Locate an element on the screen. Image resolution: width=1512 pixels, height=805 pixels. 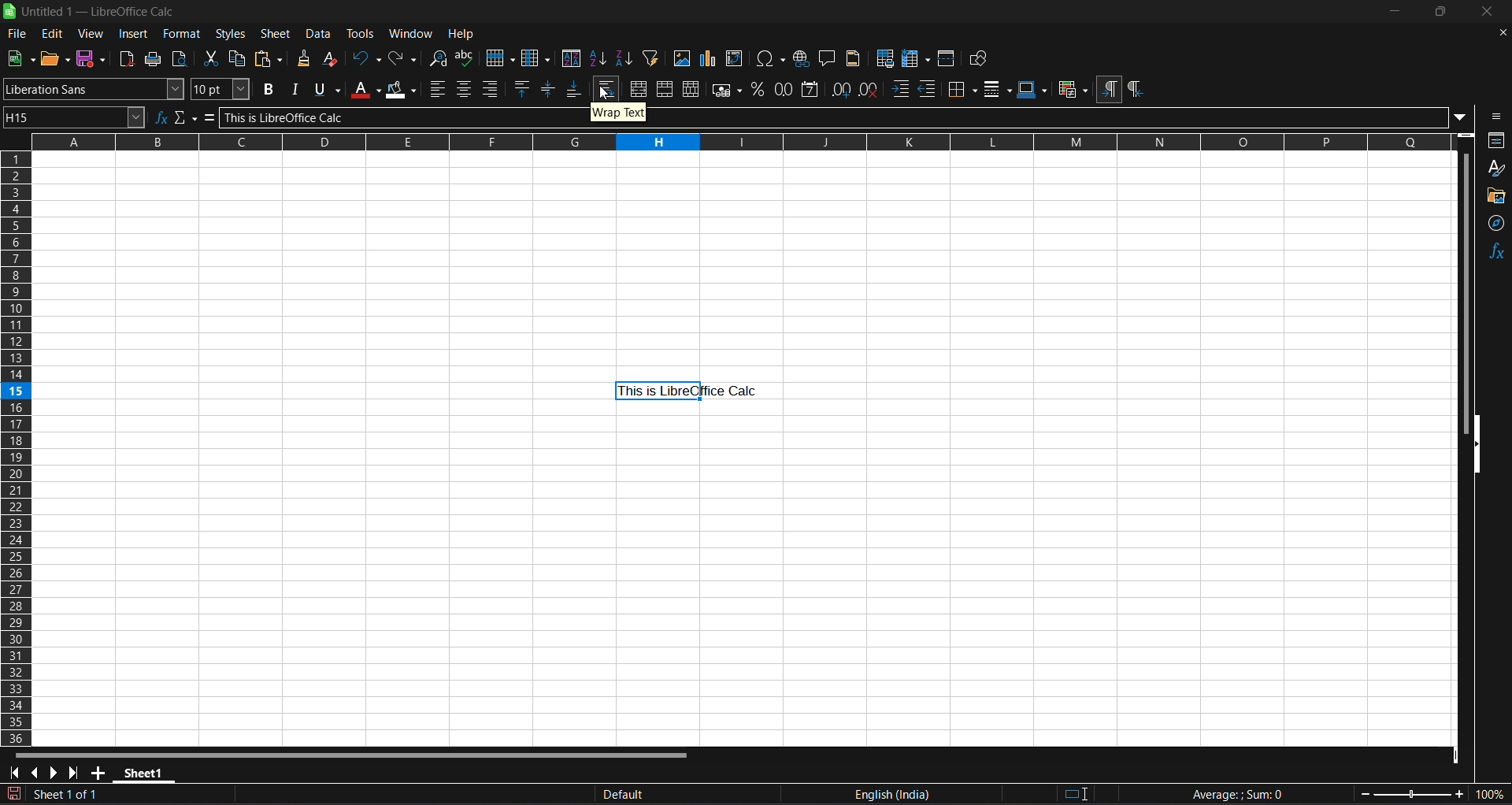
sheet 1 is located at coordinates (146, 772).